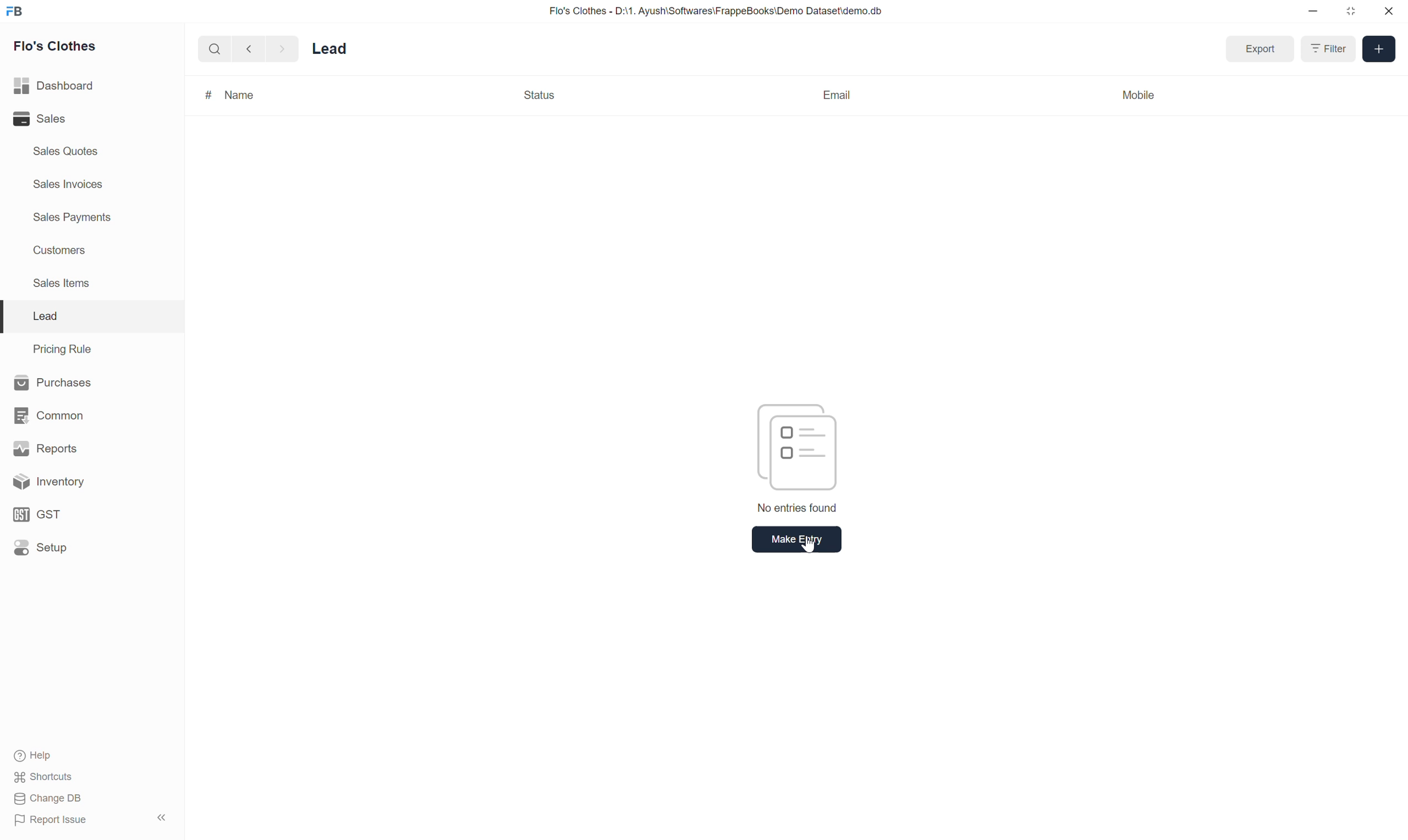  What do you see at coordinates (1142, 97) in the screenshot?
I see `Mobile` at bounding box center [1142, 97].